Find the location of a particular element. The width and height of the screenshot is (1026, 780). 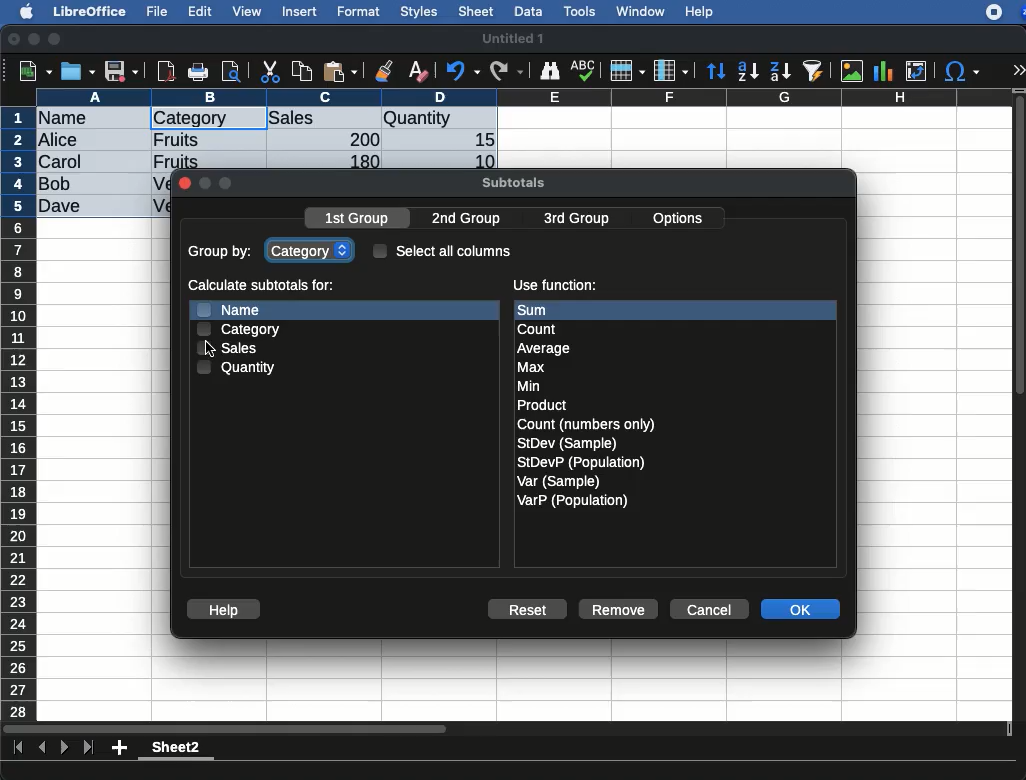

name is located at coordinates (68, 119).